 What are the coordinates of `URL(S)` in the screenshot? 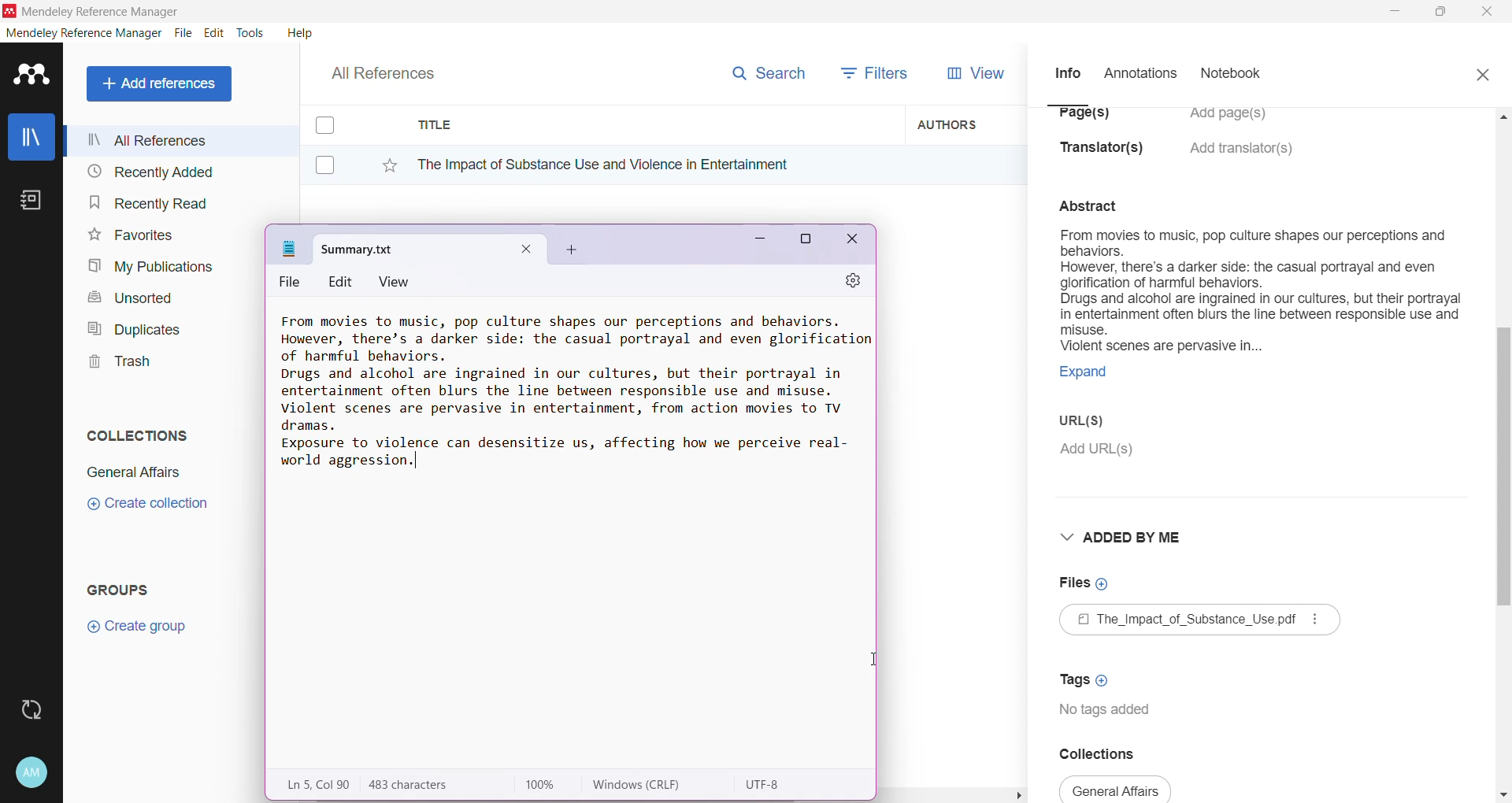 It's located at (1093, 423).